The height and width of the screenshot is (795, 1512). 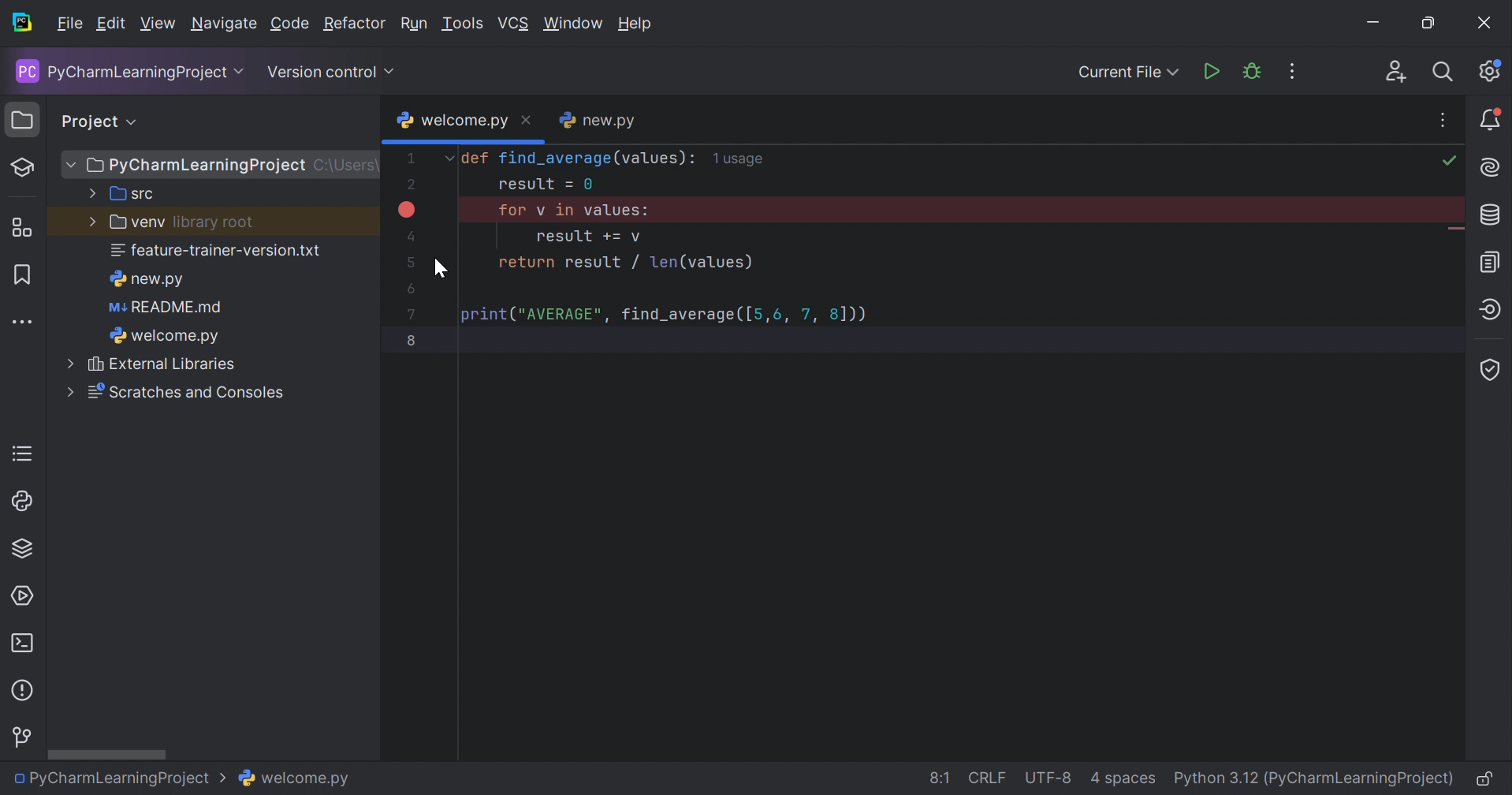 I want to click on Debug 'welcome.py', so click(x=1251, y=72).